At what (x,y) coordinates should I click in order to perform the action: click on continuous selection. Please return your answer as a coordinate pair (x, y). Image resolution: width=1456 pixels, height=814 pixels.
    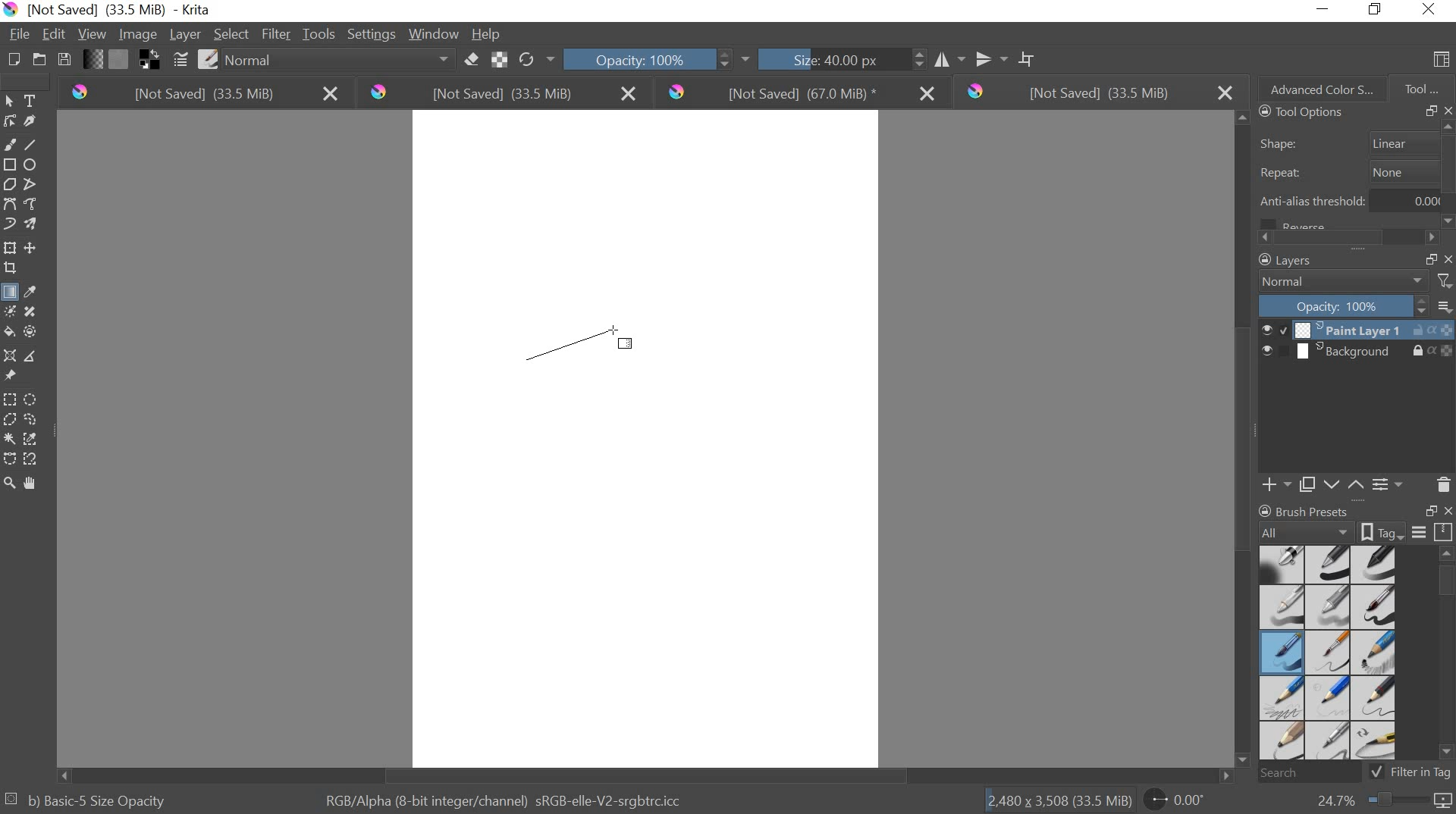
    Looking at the image, I should click on (9, 438).